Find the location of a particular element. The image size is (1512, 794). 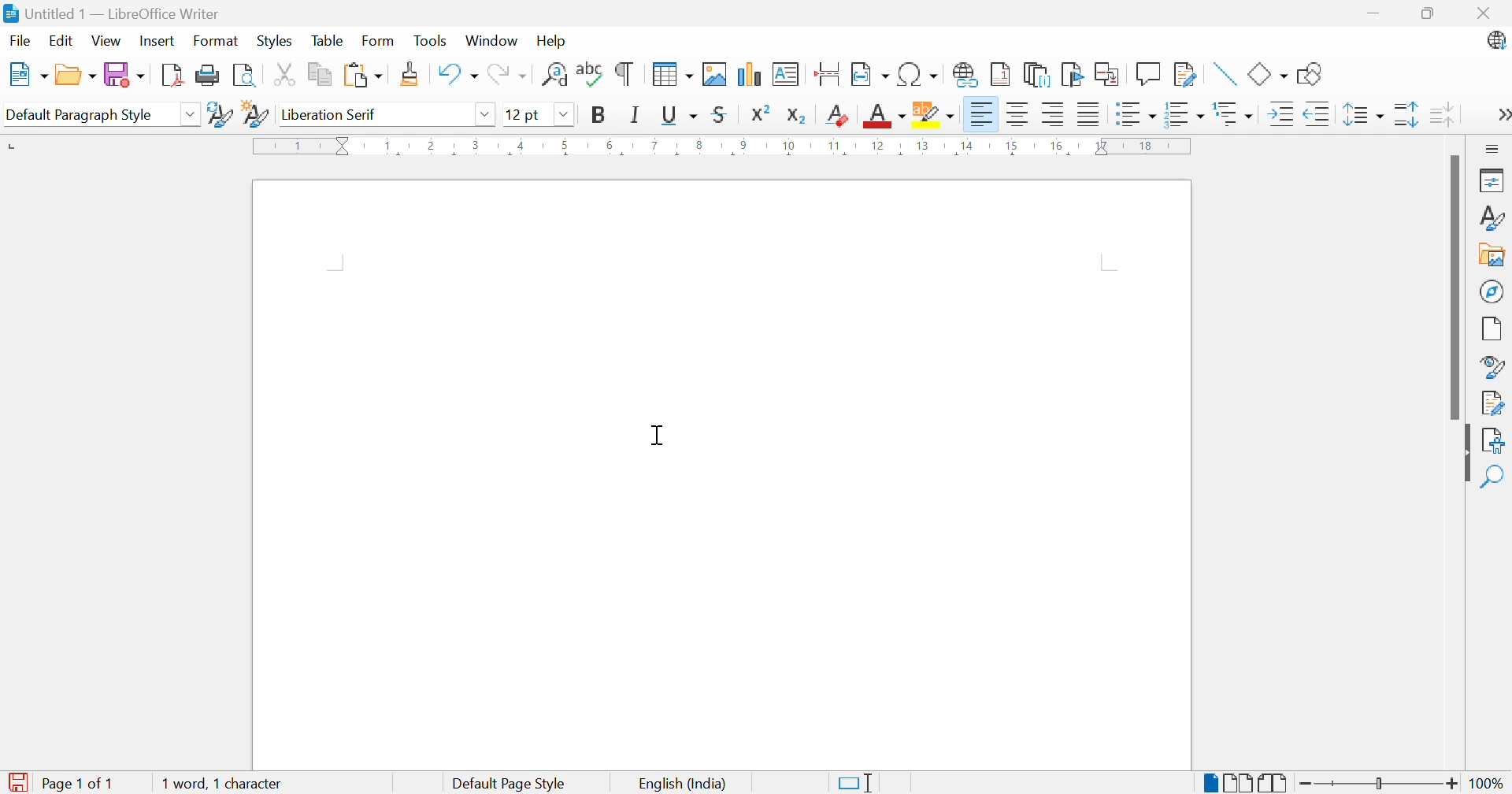

Edit is located at coordinates (61, 42).